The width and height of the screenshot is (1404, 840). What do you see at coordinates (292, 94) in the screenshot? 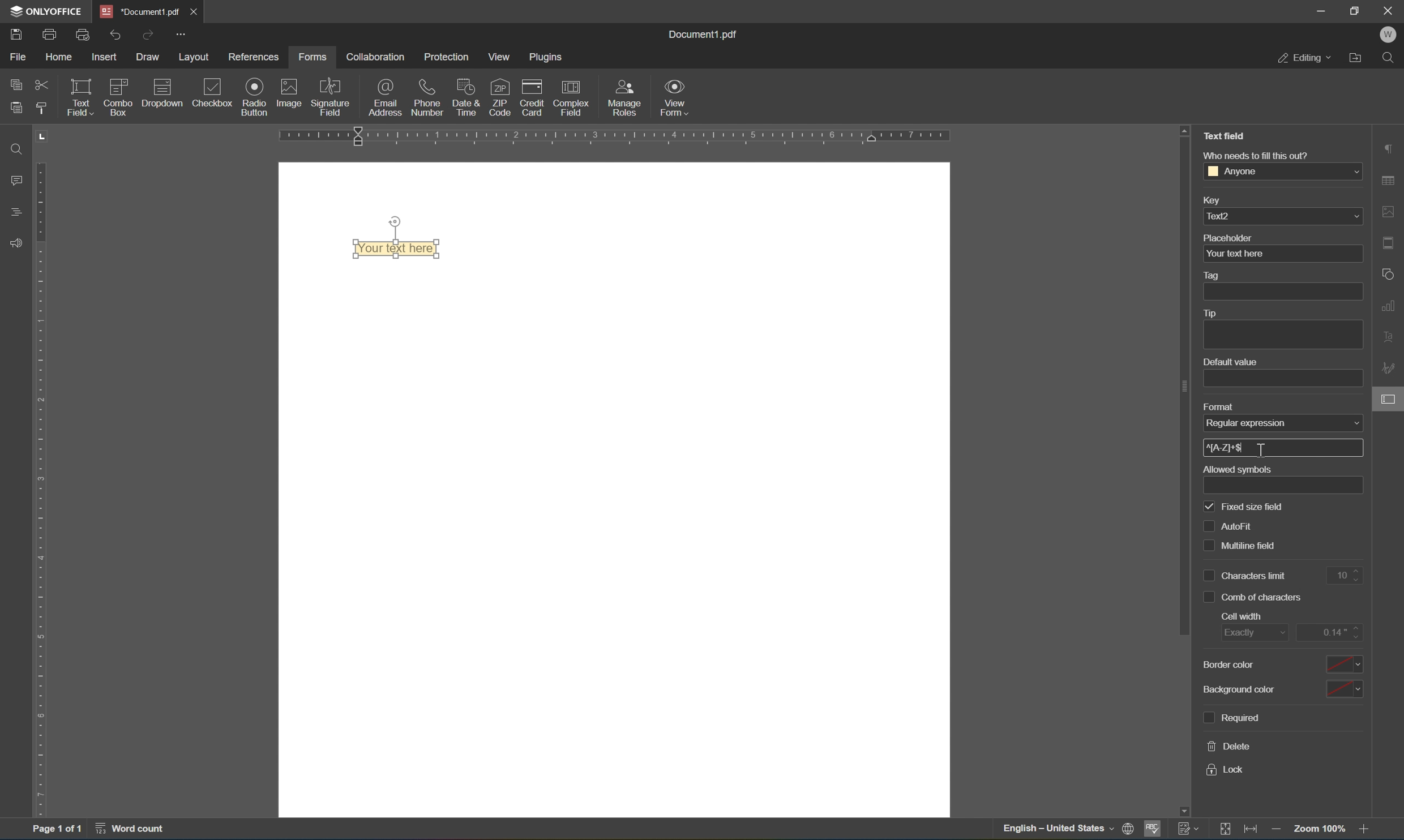
I see `image` at bounding box center [292, 94].